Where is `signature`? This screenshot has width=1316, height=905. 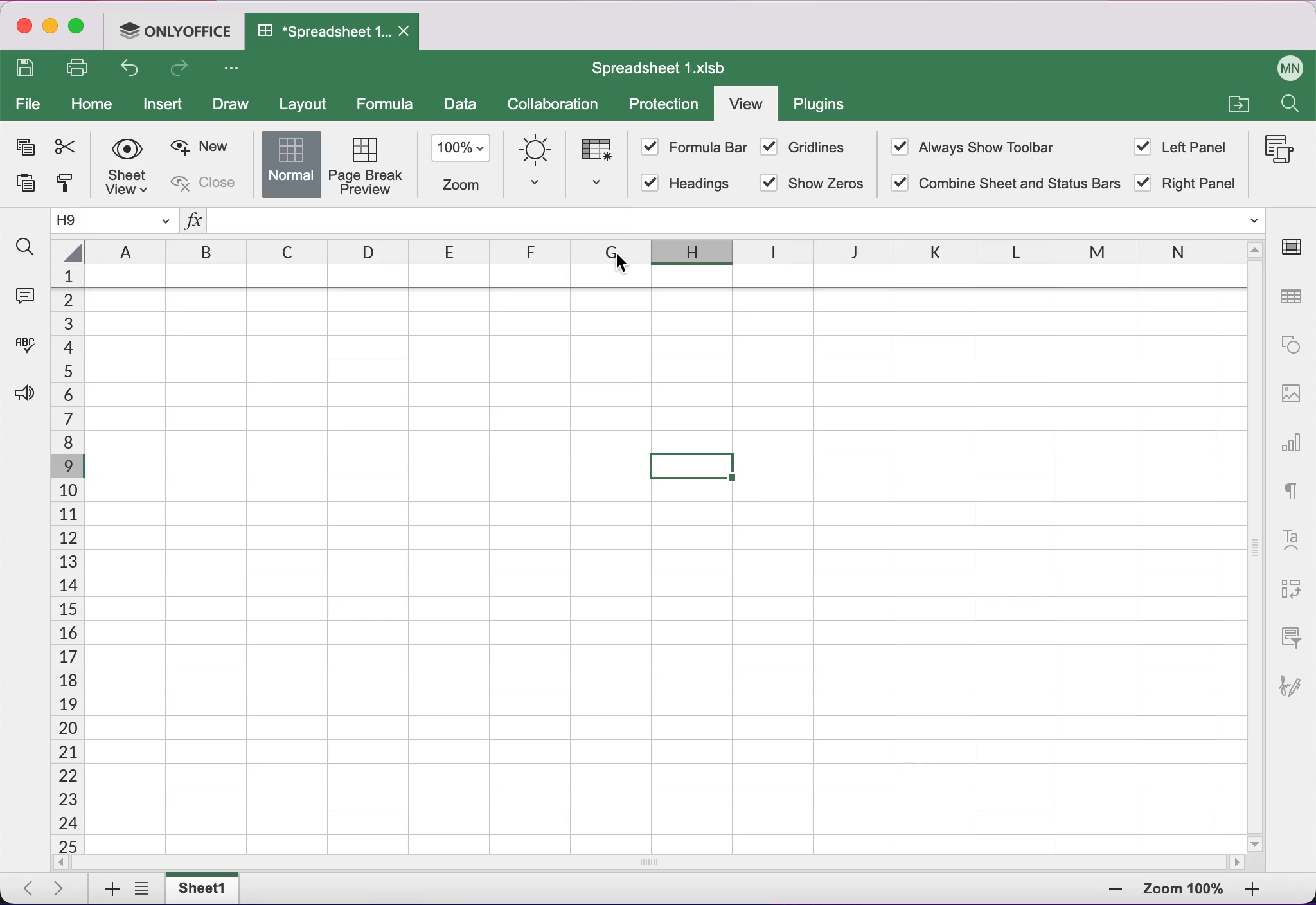
signature is located at coordinates (1295, 695).